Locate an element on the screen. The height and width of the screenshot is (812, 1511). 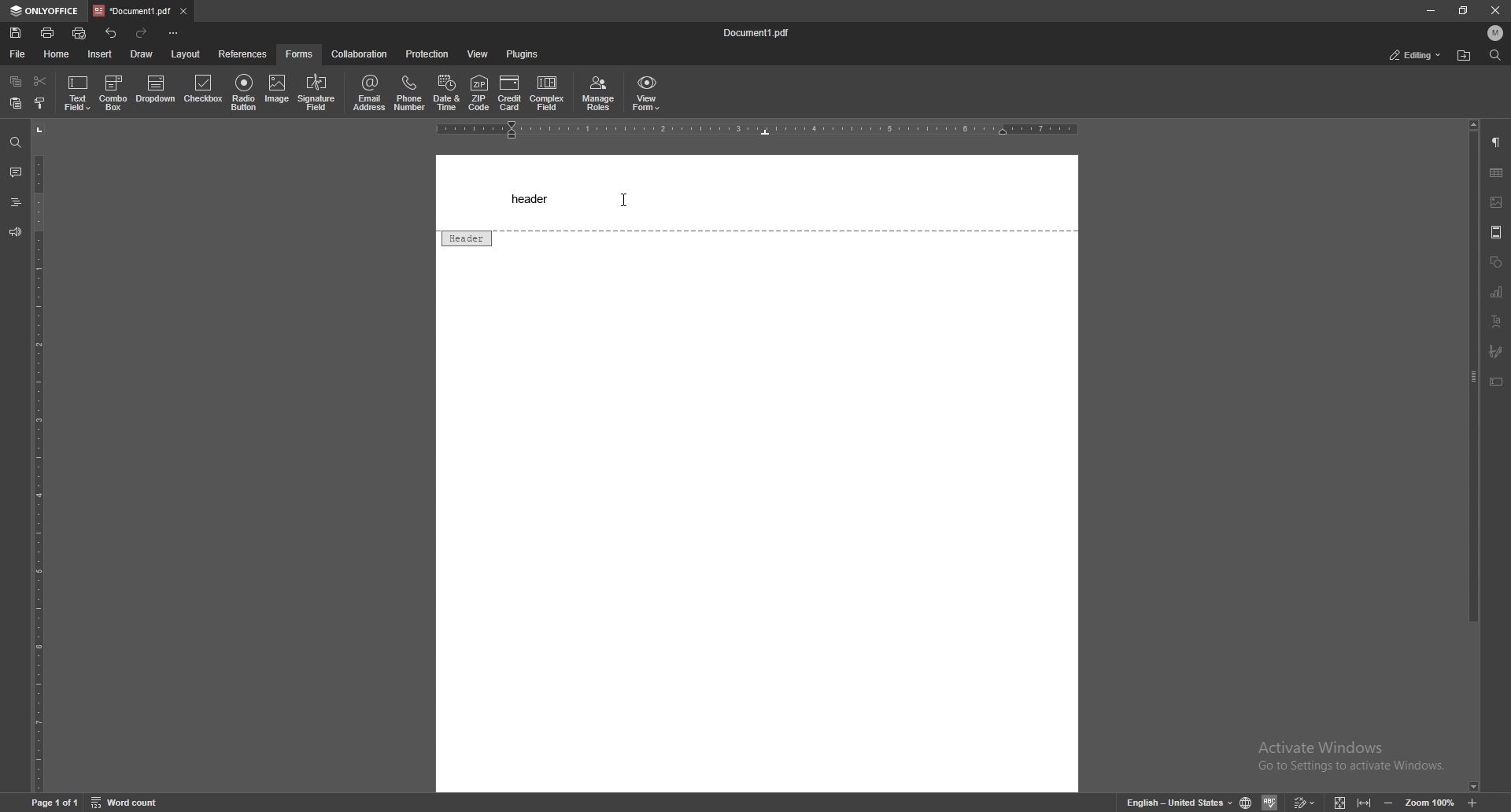
document is located at coordinates (763, 33).